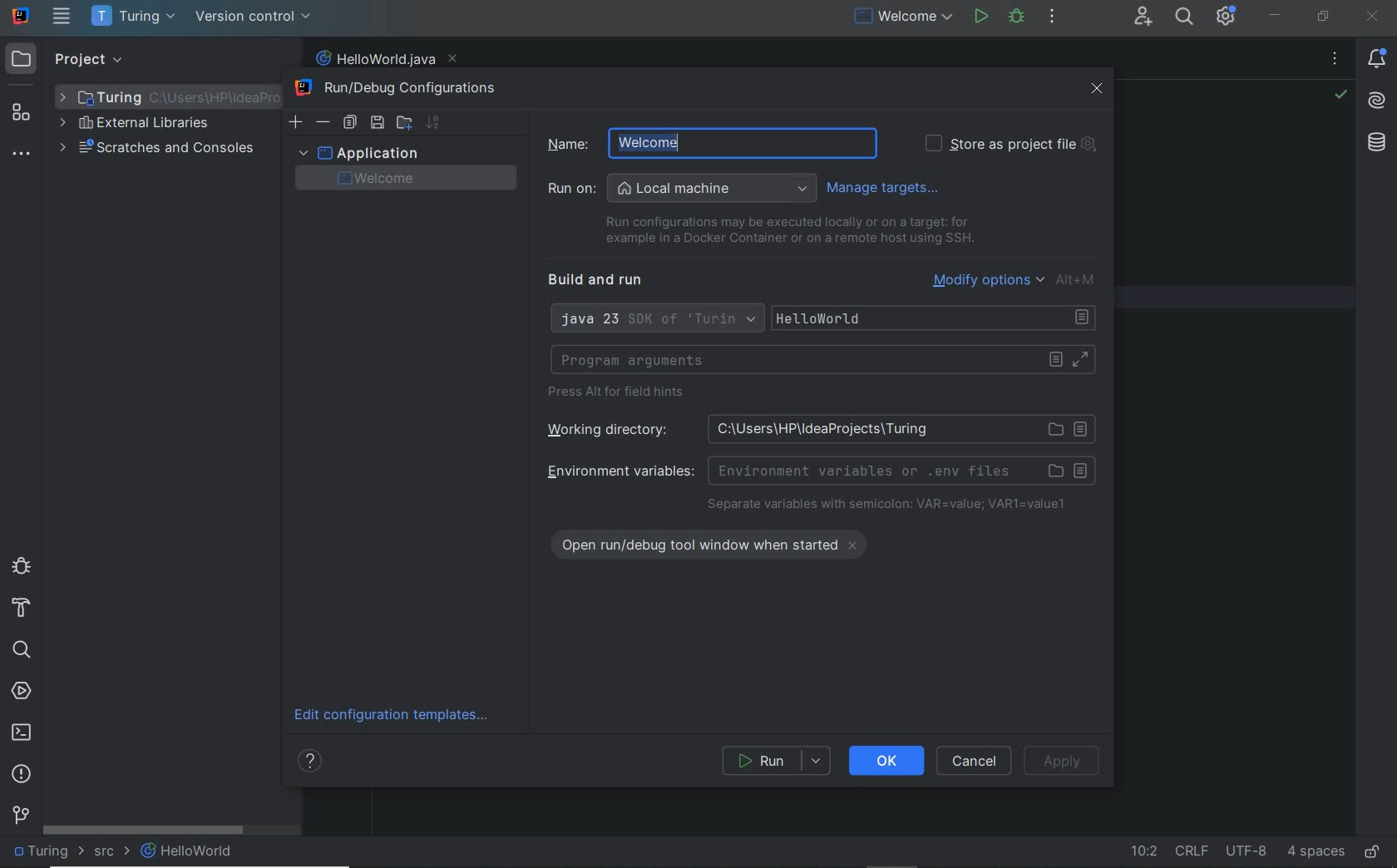 This screenshot has height=868, width=1397. I want to click on SORT CONFIGURATIONS, so click(432, 122).